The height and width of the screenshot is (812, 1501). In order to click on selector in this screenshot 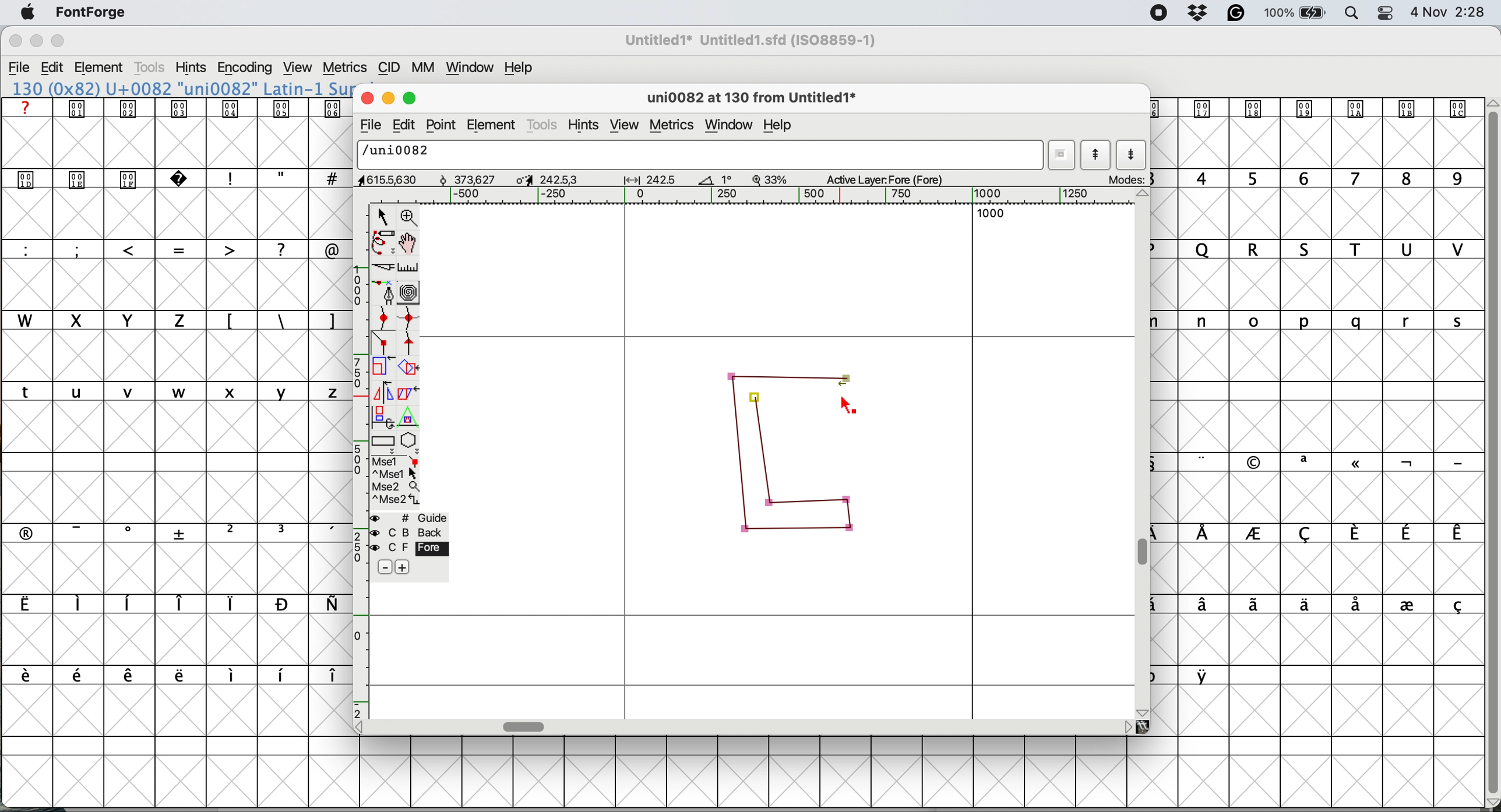, I will do `click(382, 218)`.